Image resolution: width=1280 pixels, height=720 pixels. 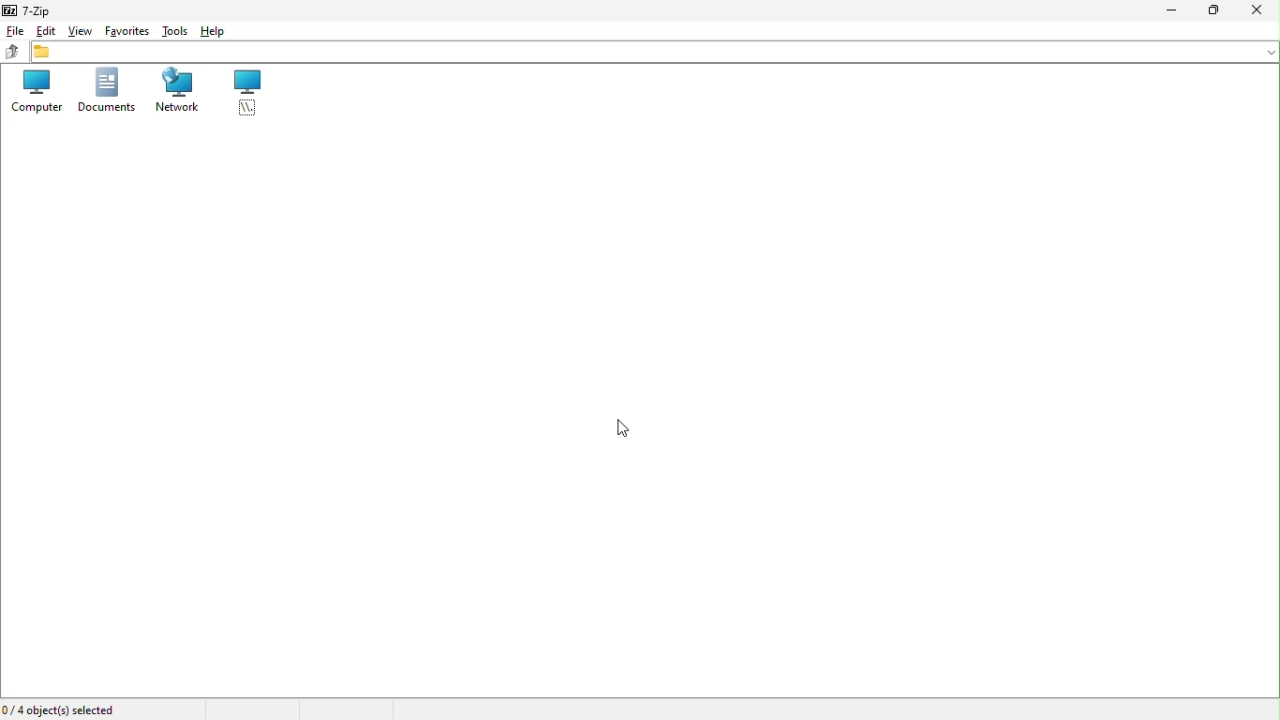 I want to click on Computer, so click(x=30, y=92).